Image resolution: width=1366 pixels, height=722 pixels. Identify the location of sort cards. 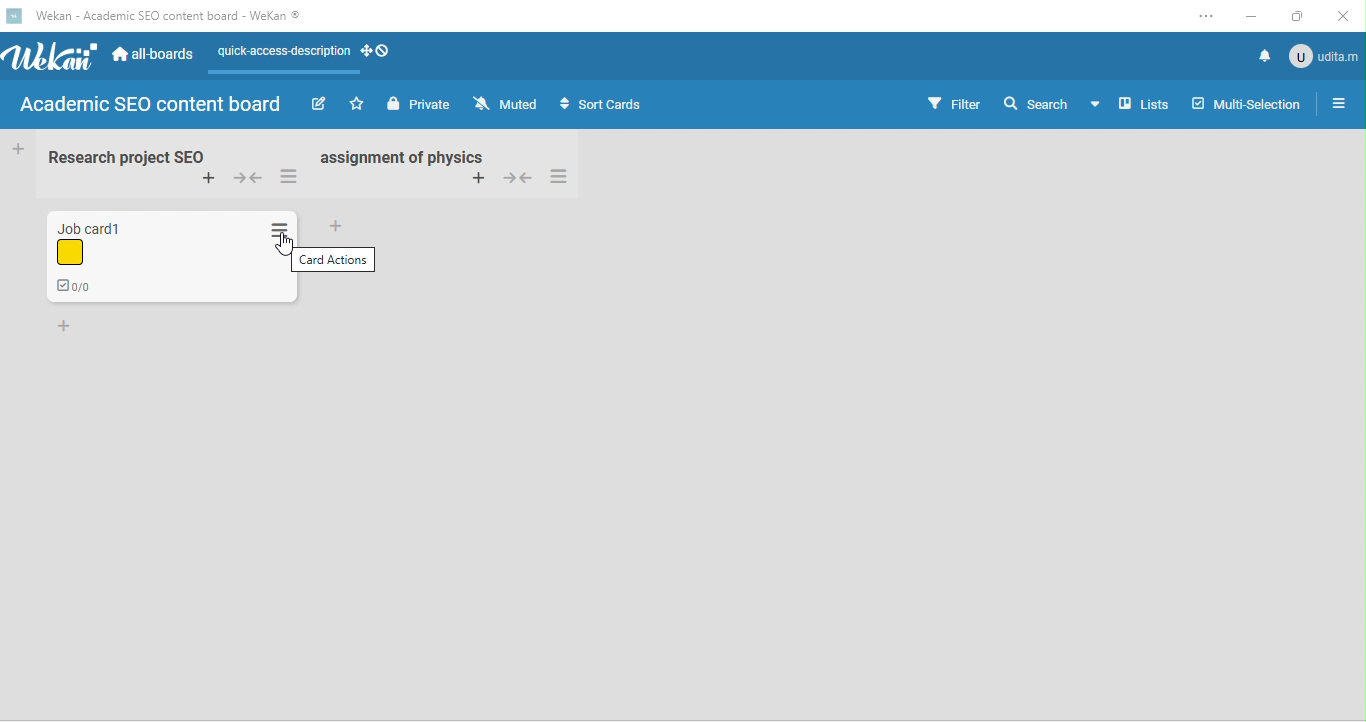
(628, 104).